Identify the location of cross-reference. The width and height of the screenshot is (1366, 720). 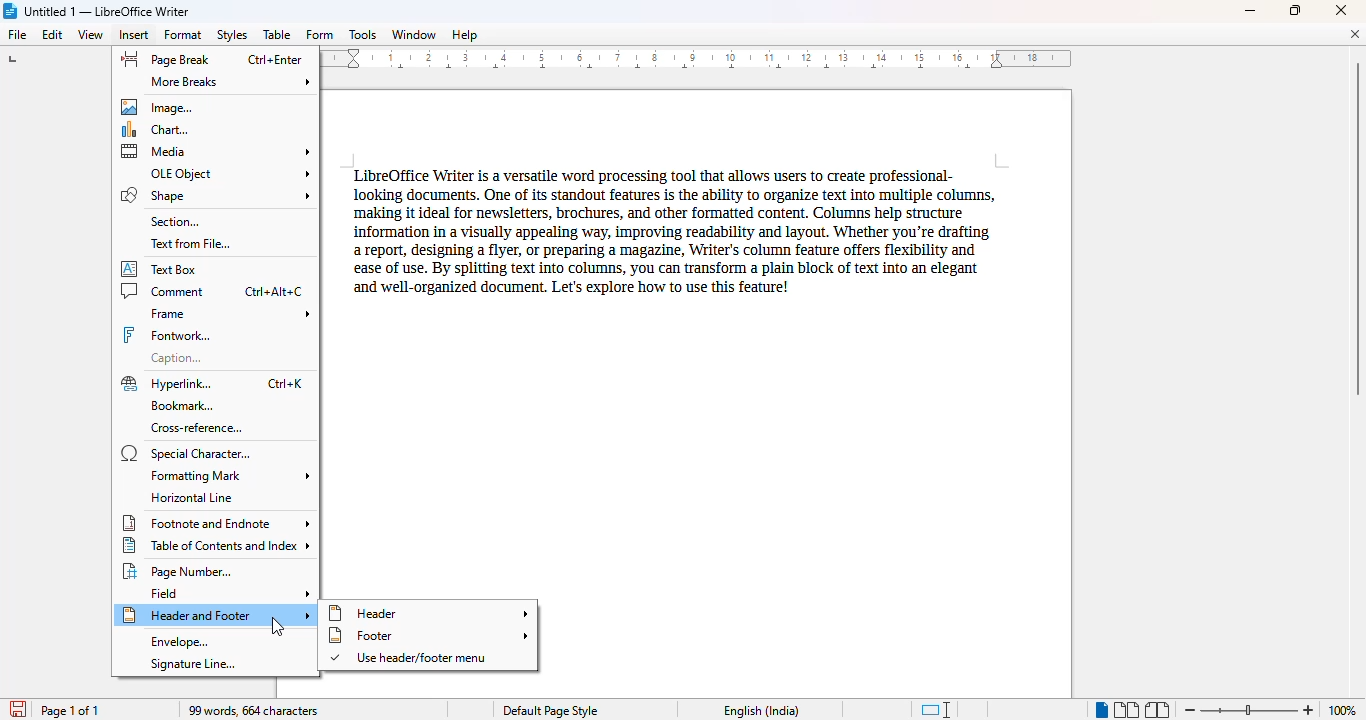
(196, 428).